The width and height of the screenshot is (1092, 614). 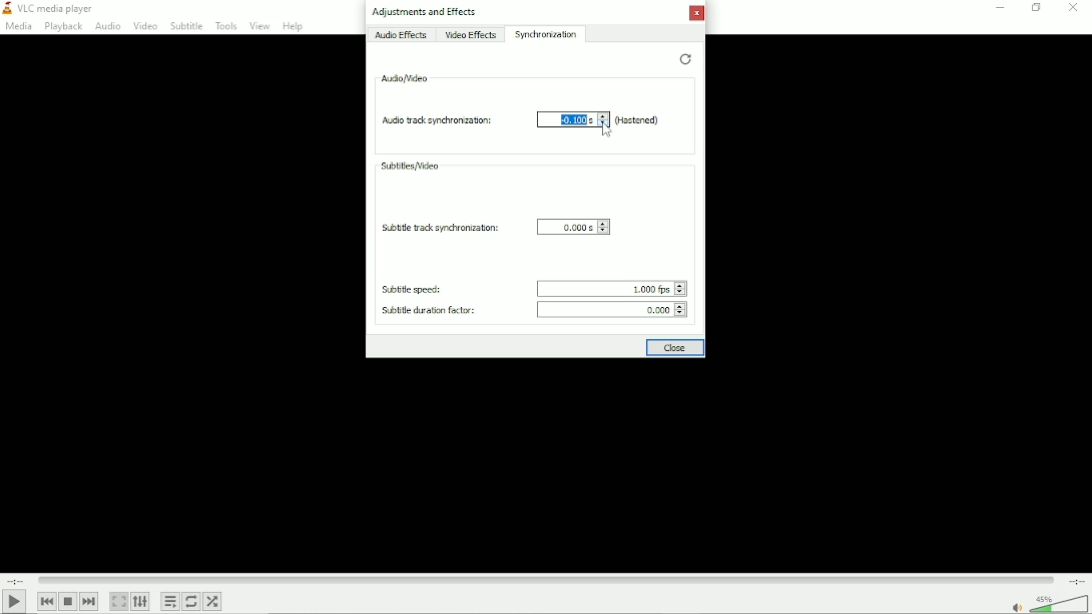 I want to click on Audio effects, so click(x=402, y=36).